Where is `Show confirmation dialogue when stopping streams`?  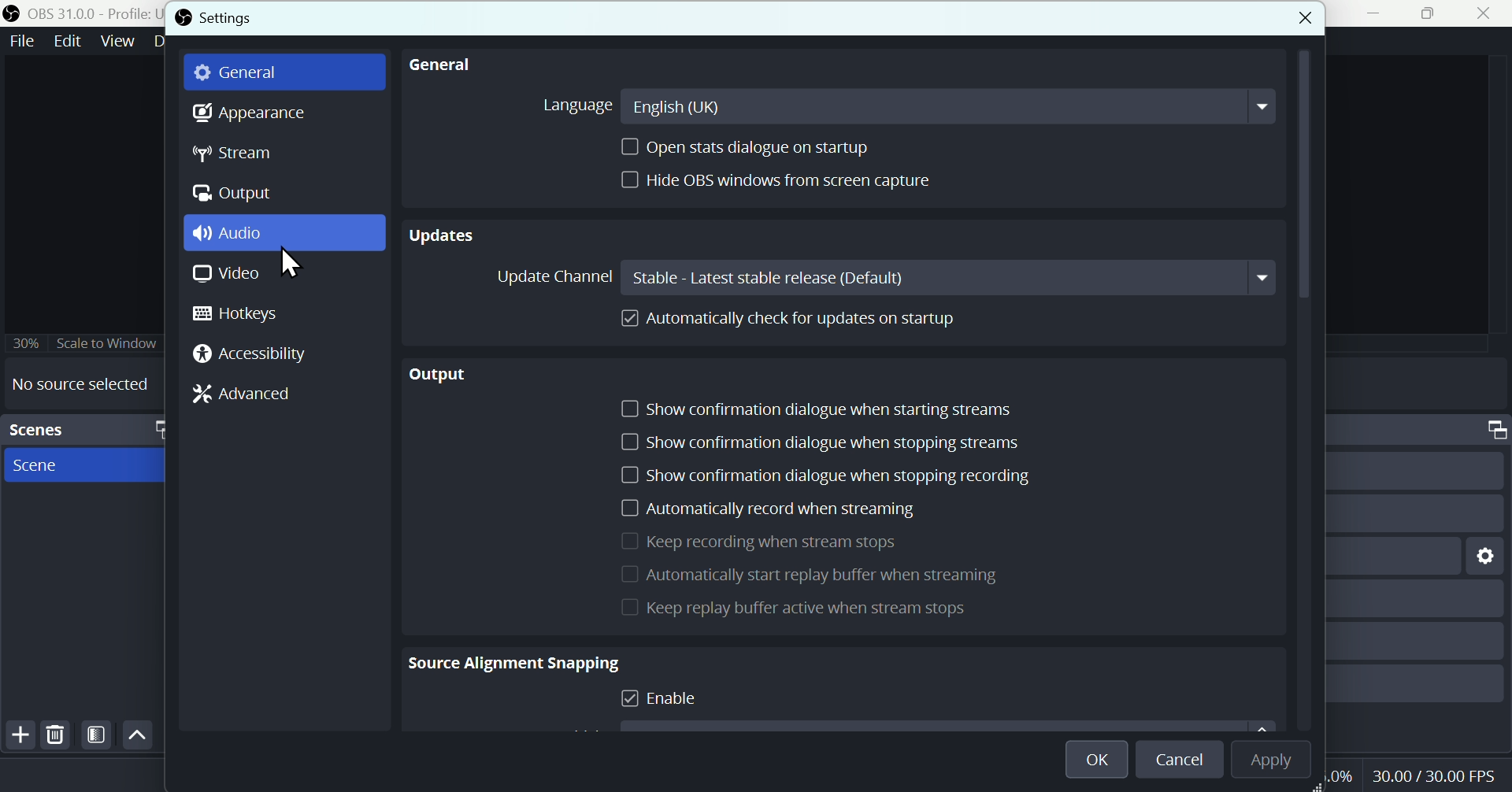
Show confirmation dialogue when stopping streams is located at coordinates (818, 441).